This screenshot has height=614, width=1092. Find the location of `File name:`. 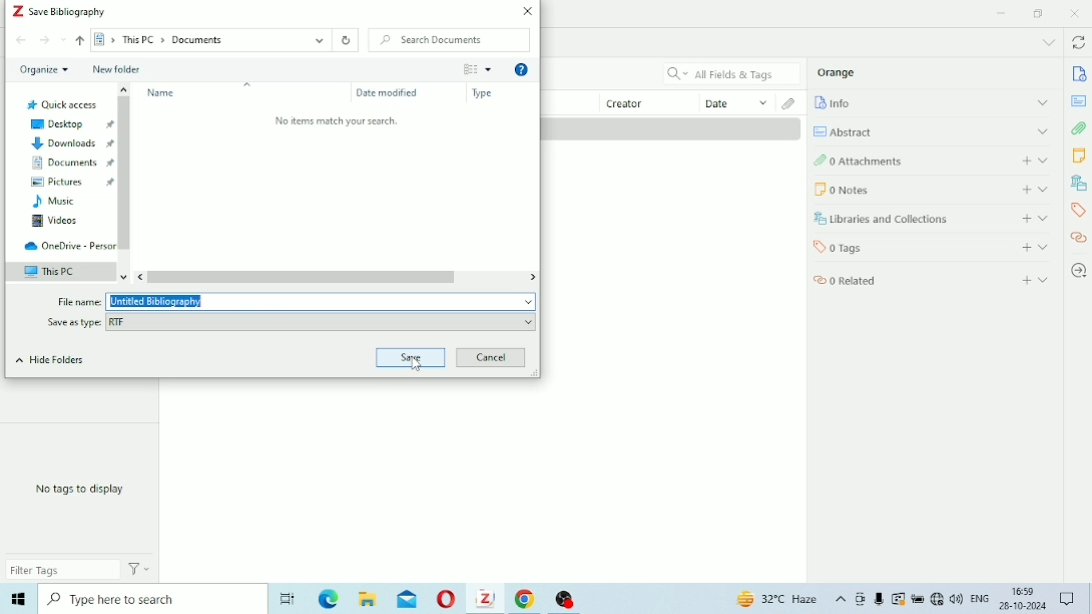

File name: is located at coordinates (79, 301).